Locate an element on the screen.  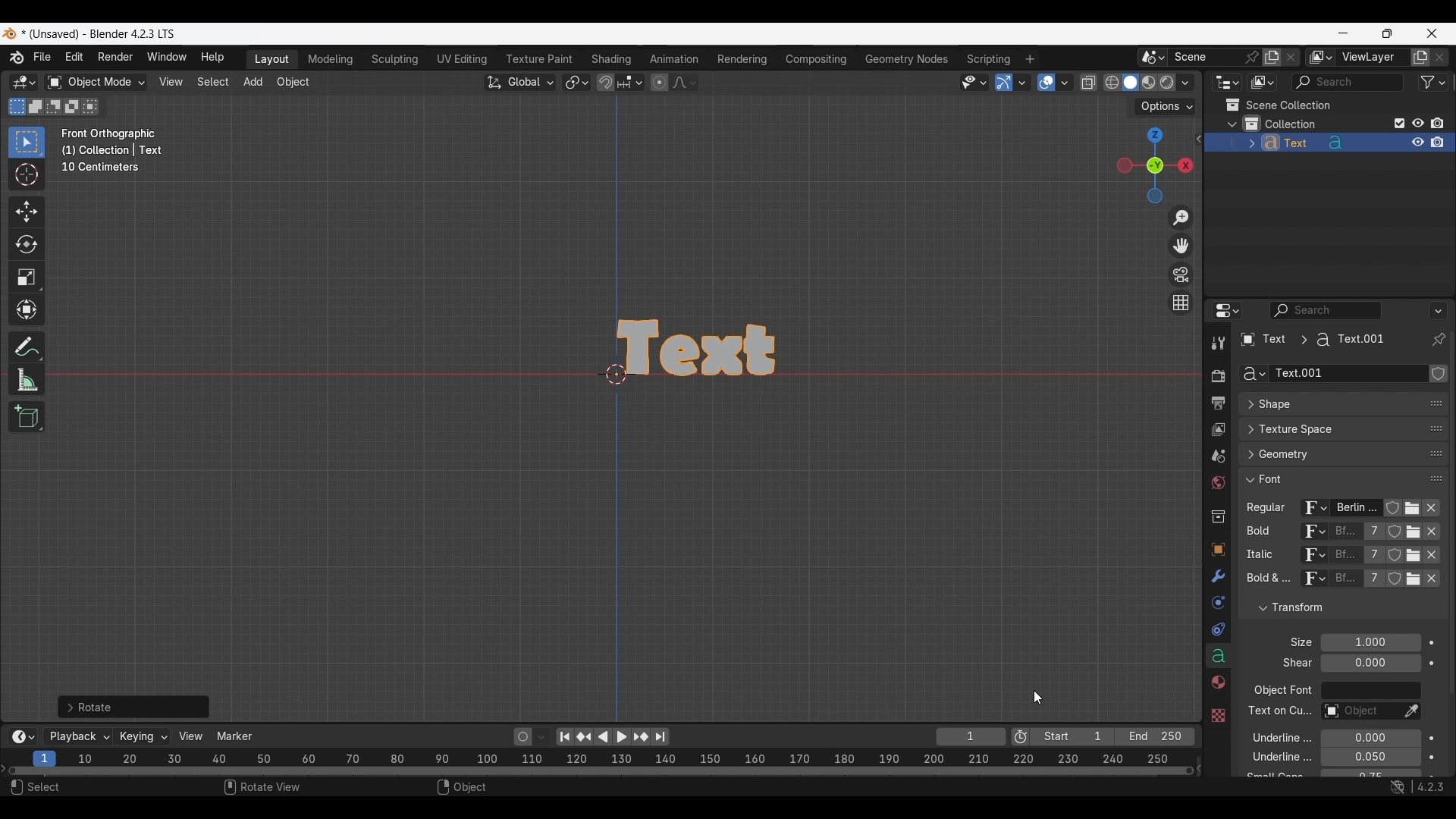
Transformation orientation, global is located at coordinates (520, 83).